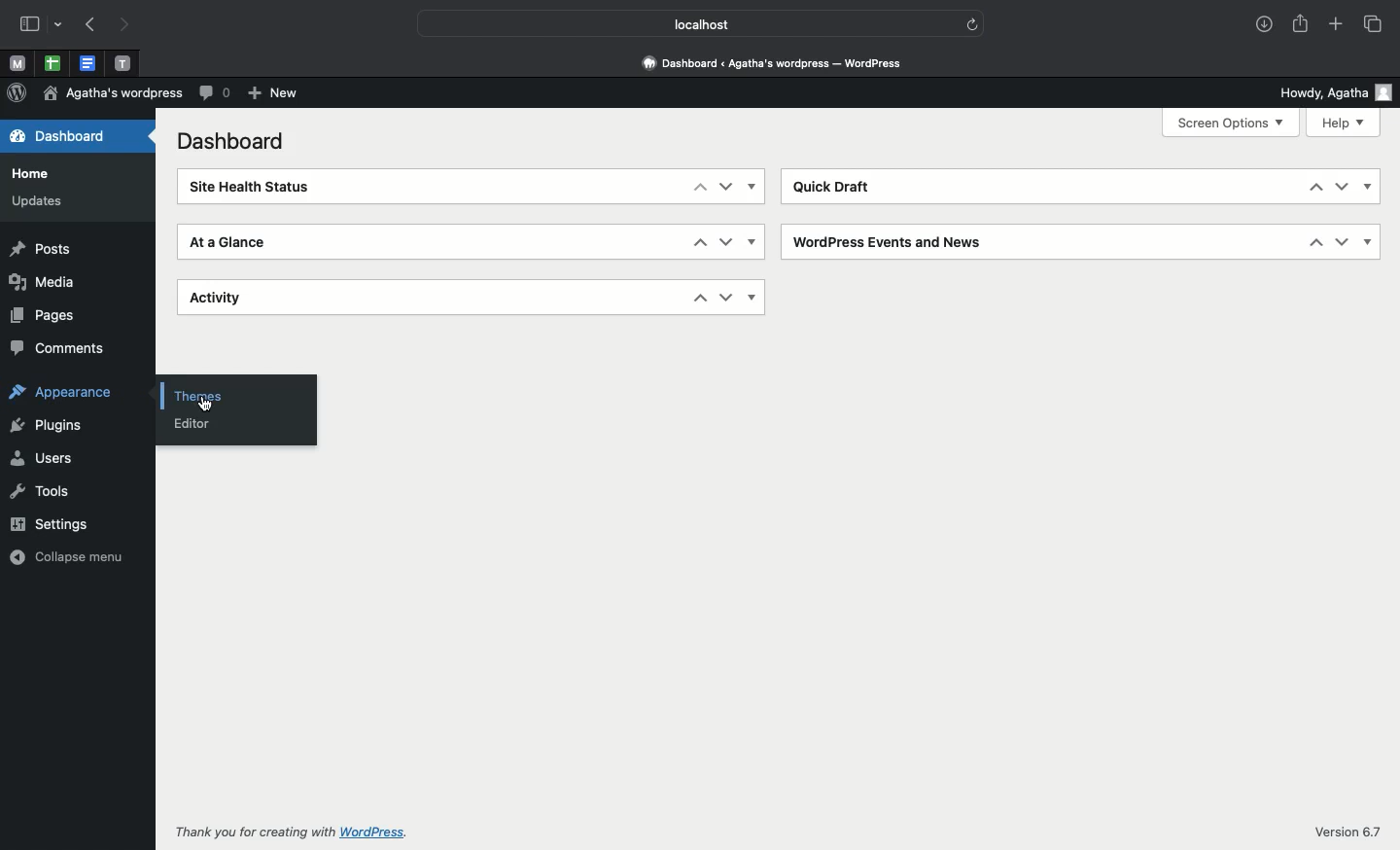 This screenshot has height=850, width=1400. Describe the element at coordinates (1315, 187) in the screenshot. I see `Up` at that location.